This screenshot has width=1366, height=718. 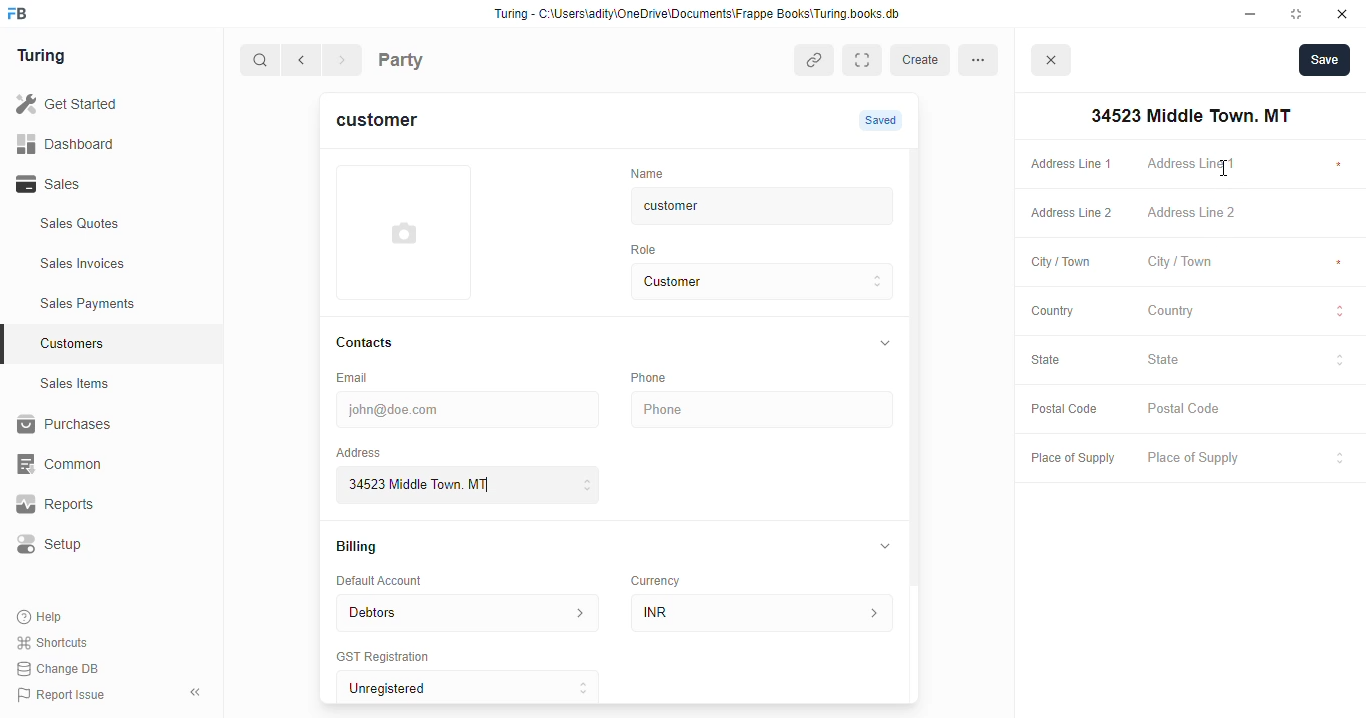 I want to click on Contacts, so click(x=384, y=343).